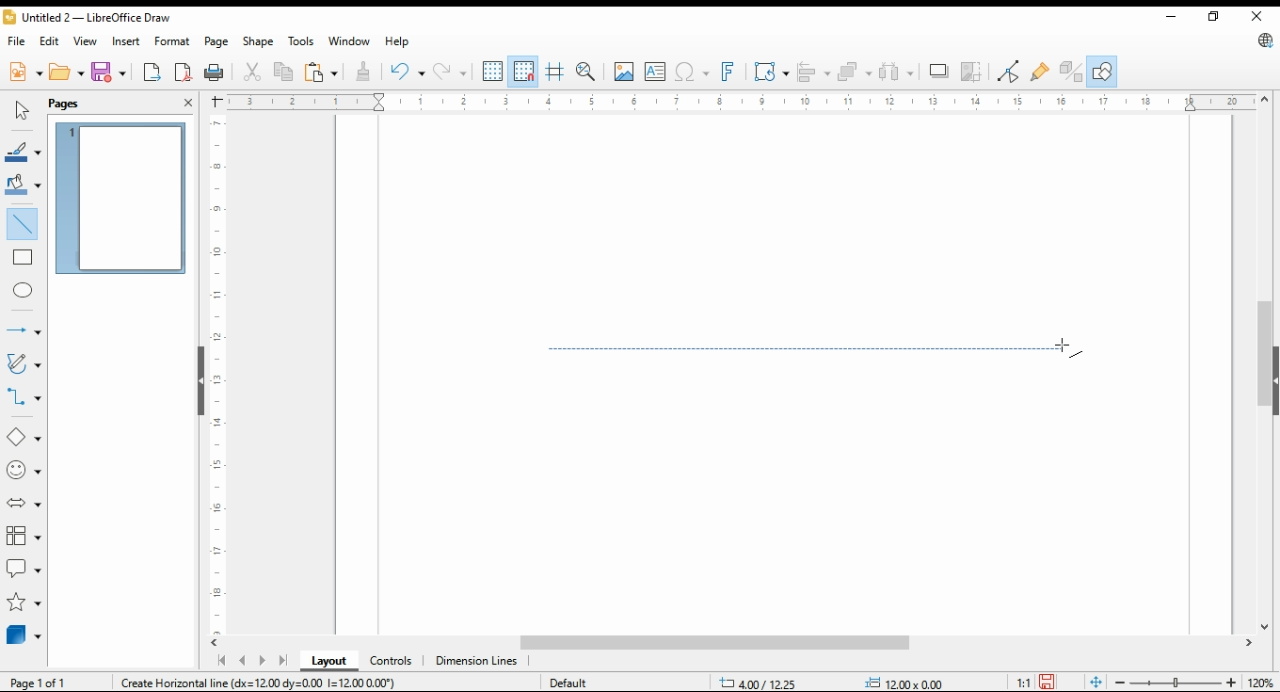 Image resolution: width=1280 pixels, height=692 pixels. Describe the element at coordinates (1217, 17) in the screenshot. I see `restore` at that location.